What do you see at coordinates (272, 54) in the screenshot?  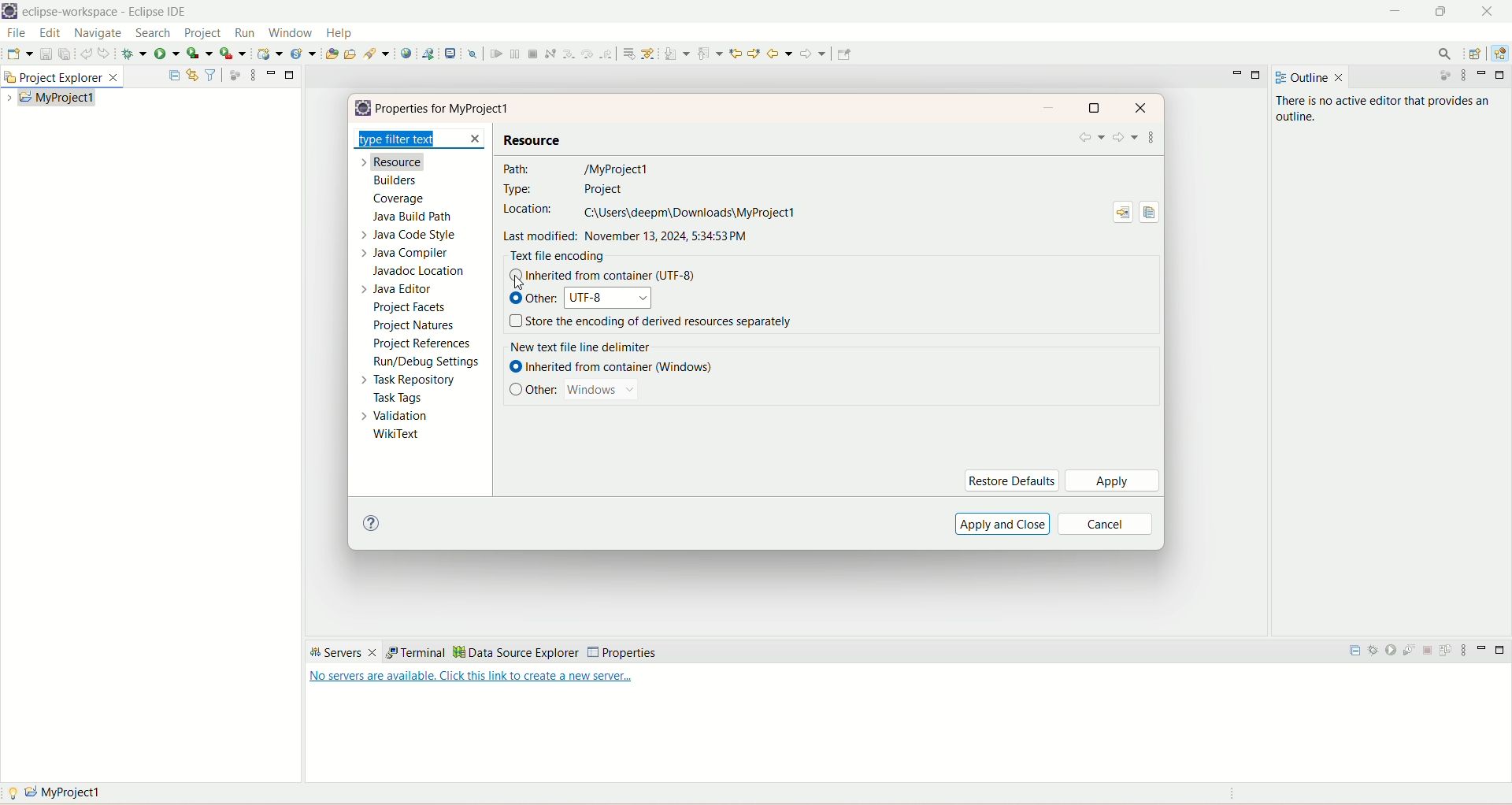 I see `create a dynamic web service` at bounding box center [272, 54].